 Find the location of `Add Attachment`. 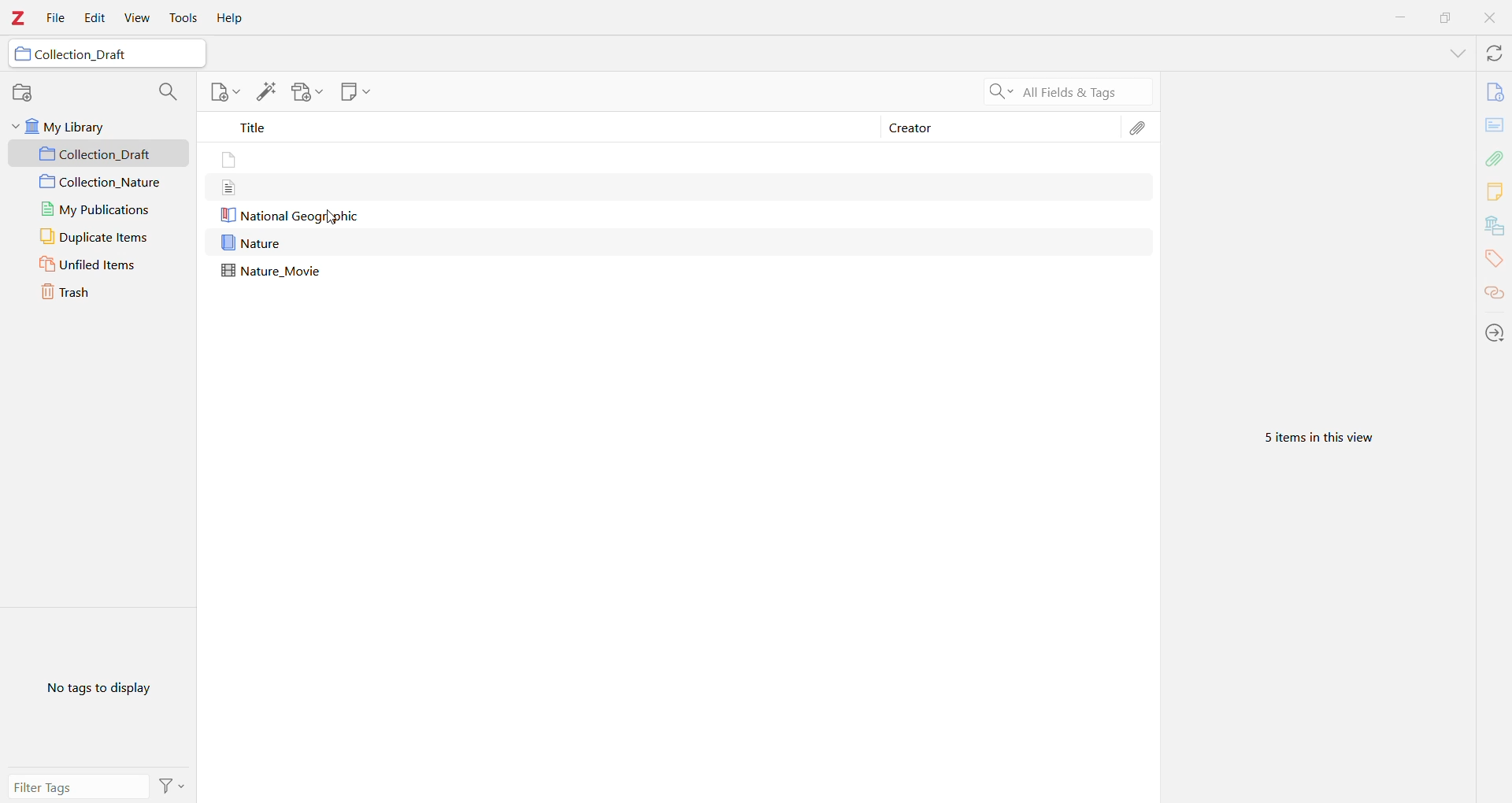

Add Attachment is located at coordinates (303, 92).